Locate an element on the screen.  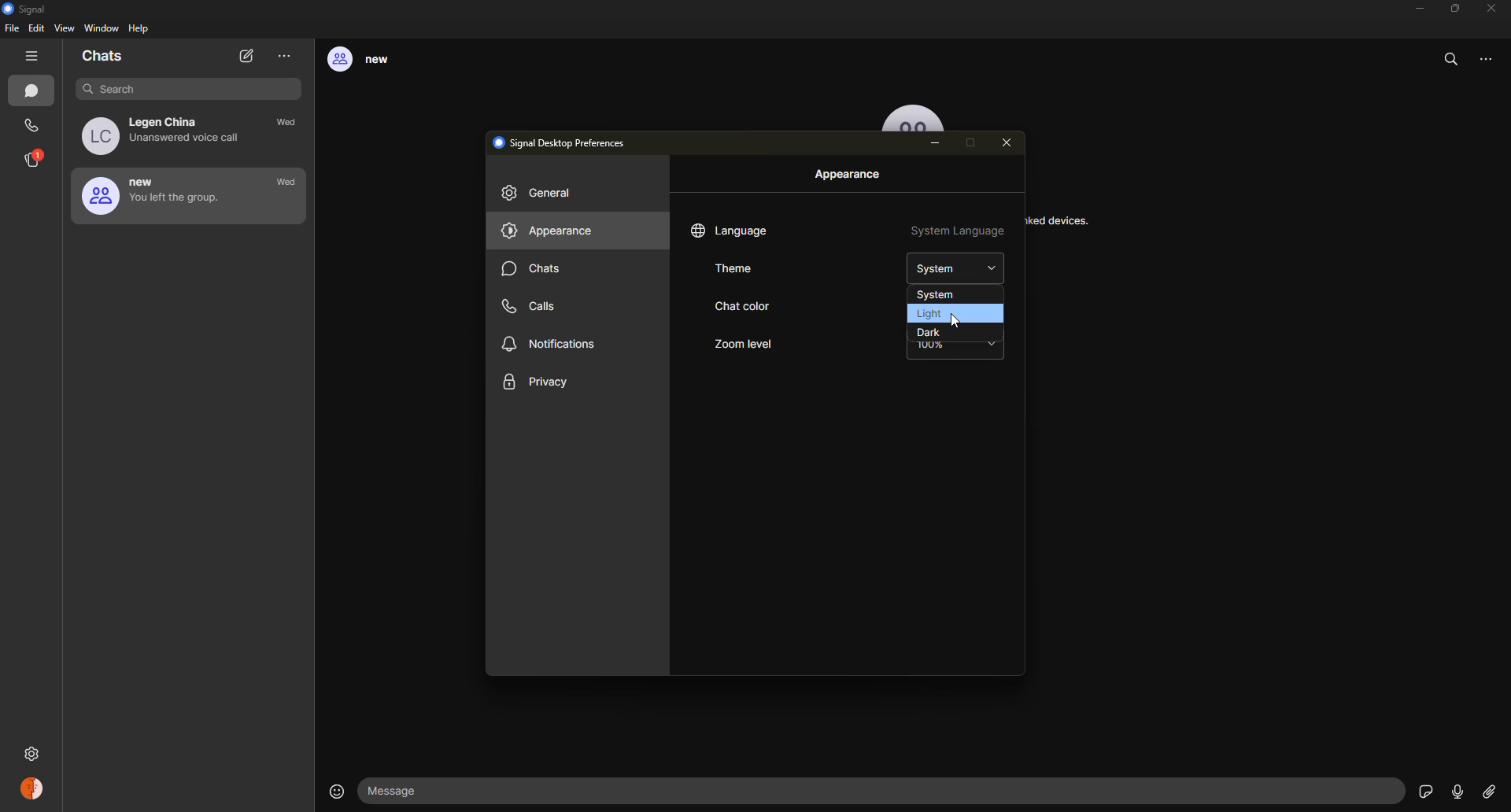
light is located at coordinates (926, 313).